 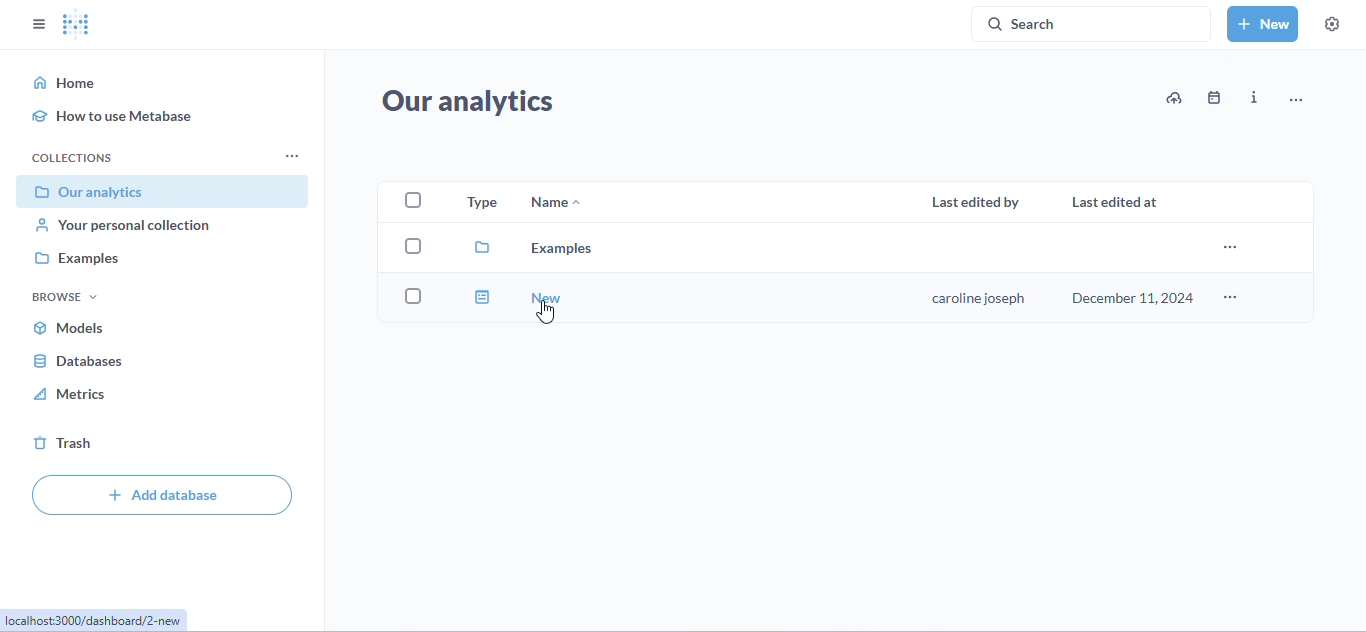 I want to click on models, so click(x=68, y=329).